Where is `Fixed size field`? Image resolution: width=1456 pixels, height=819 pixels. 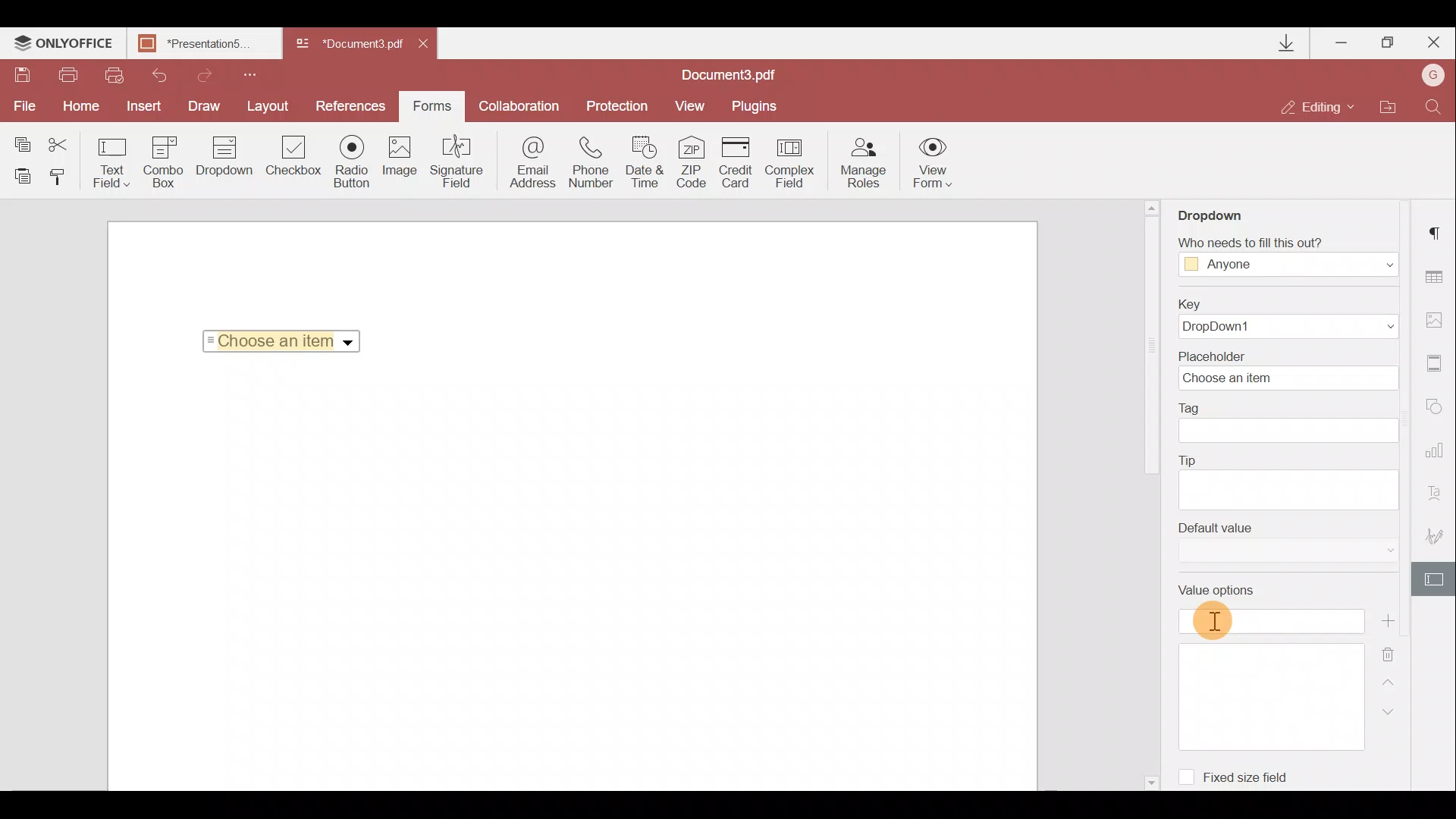
Fixed size field is located at coordinates (1241, 774).